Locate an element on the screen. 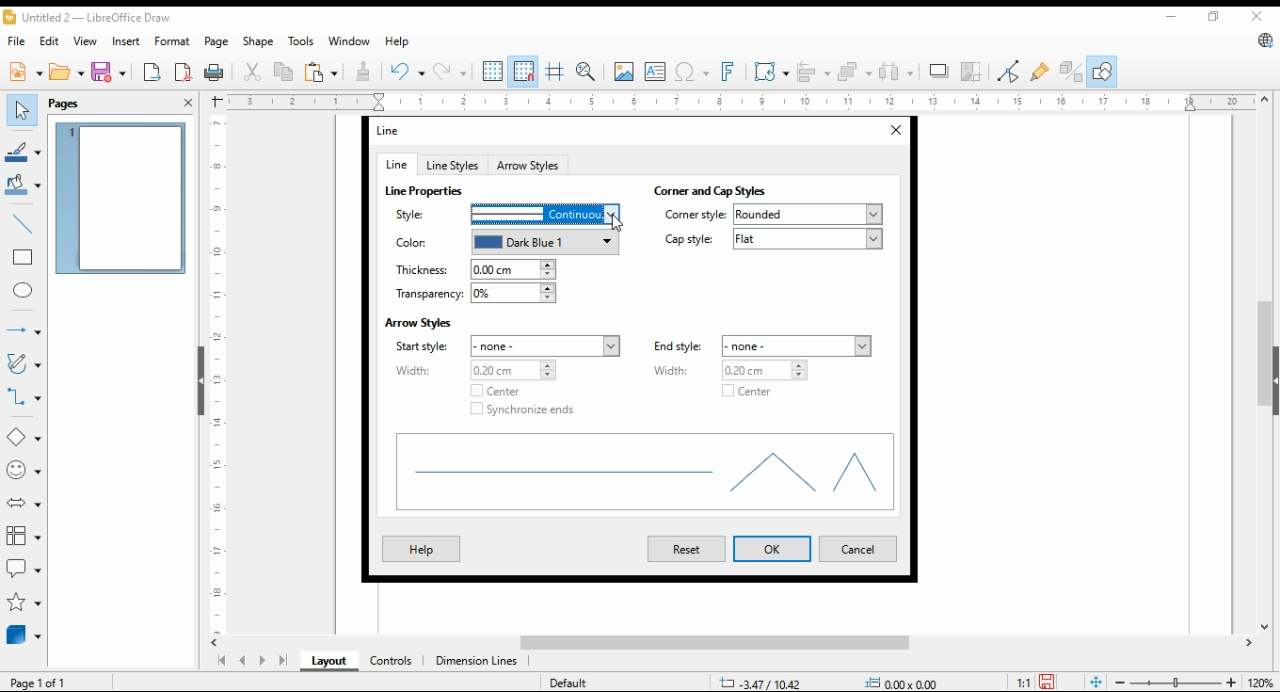 The height and width of the screenshot is (692, 1280). insert text box is located at coordinates (655, 71).